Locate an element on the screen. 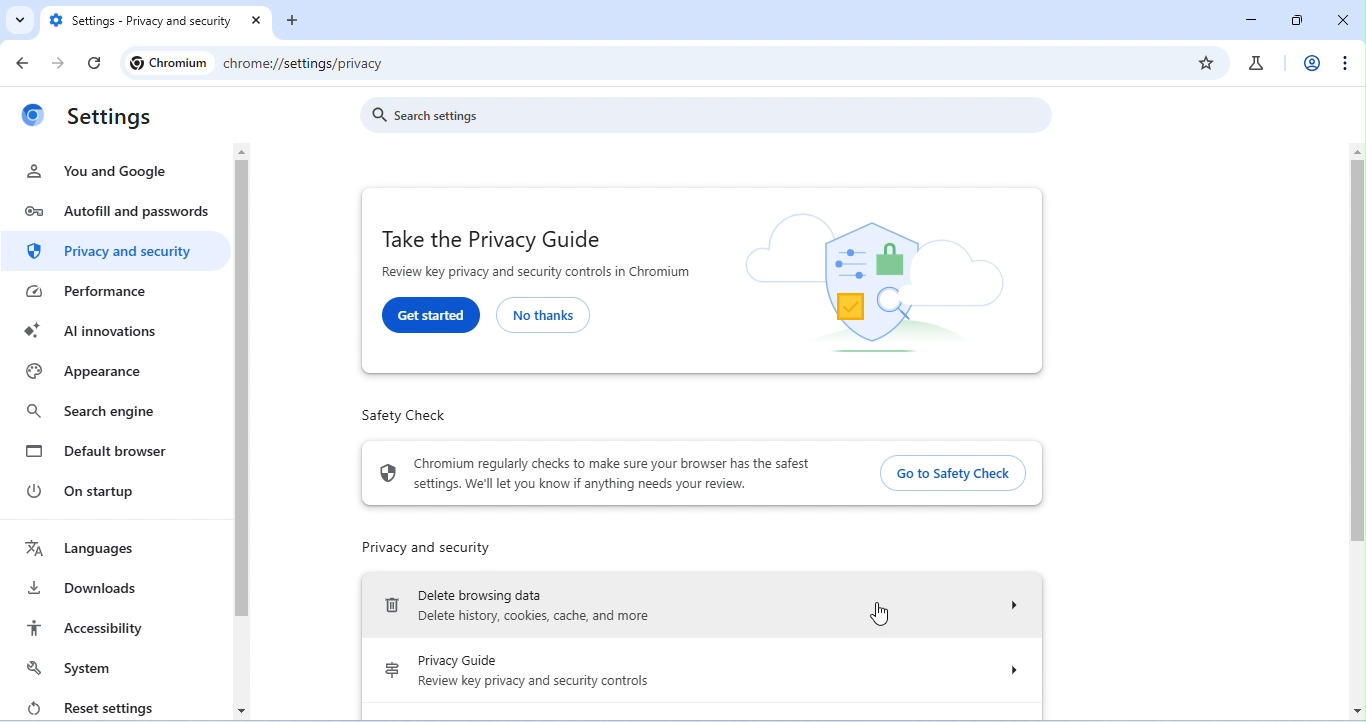 This screenshot has height=722, width=1366. Chromium regularly checks to make sure your browser has the safest
settings. We'll let you know if anything needs your review. is located at coordinates (611, 474).